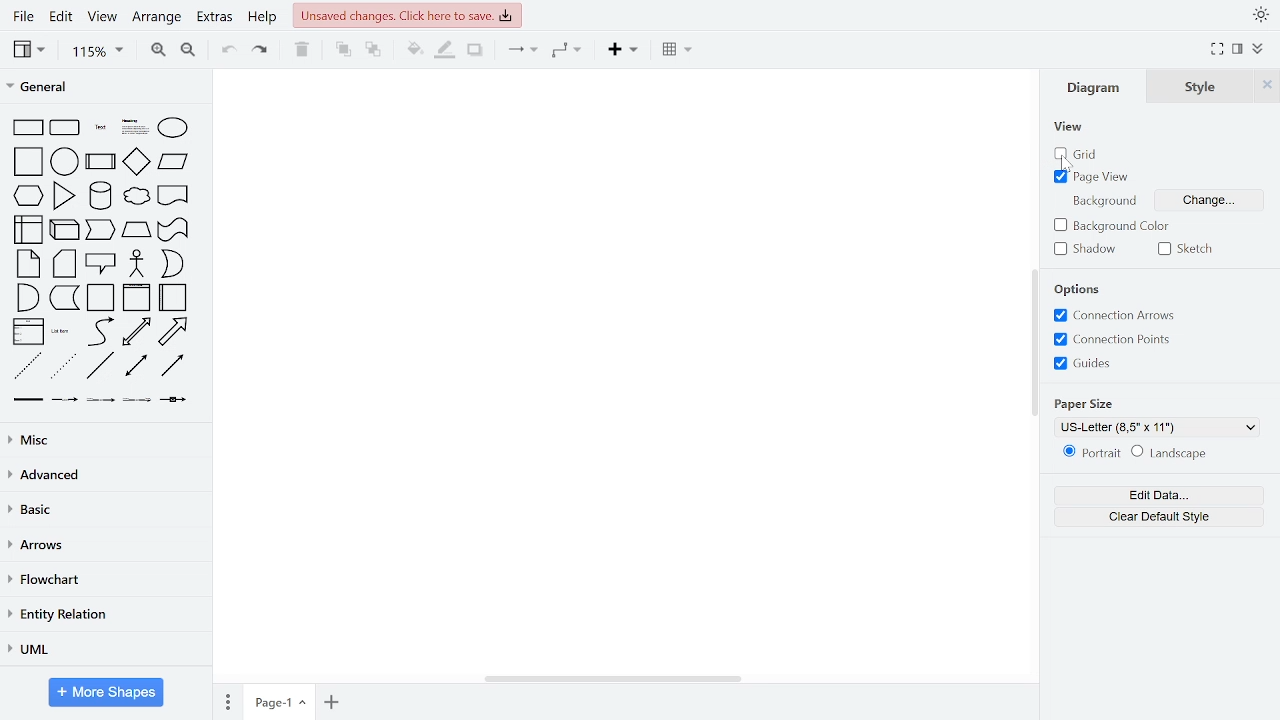  Describe the element at coordinates (103, 162) in the screenshot. I see `process` at that location.